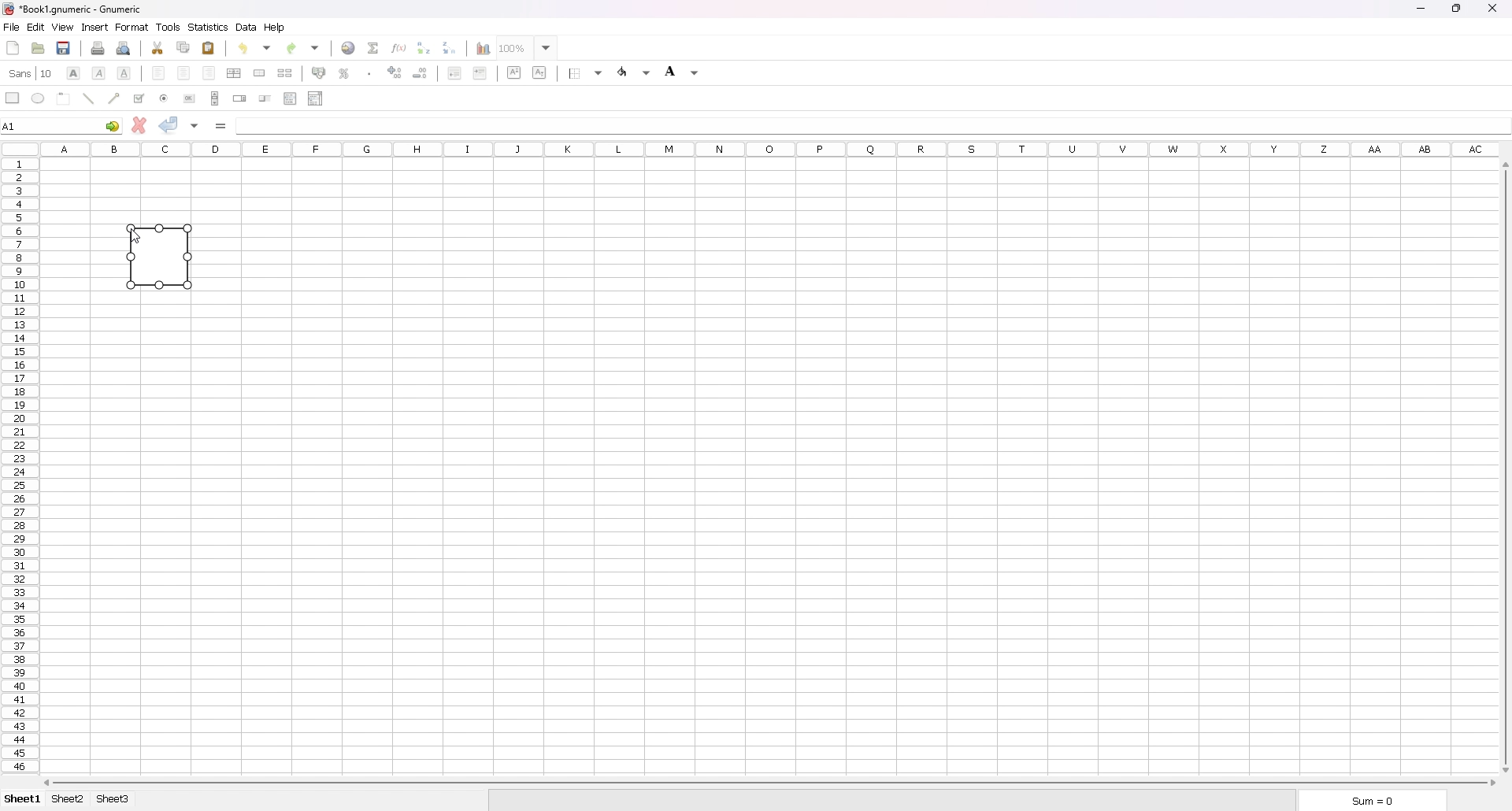  Describe the element at coordinates (61, 126) in the screenshot. I see `selected cell` at that location.